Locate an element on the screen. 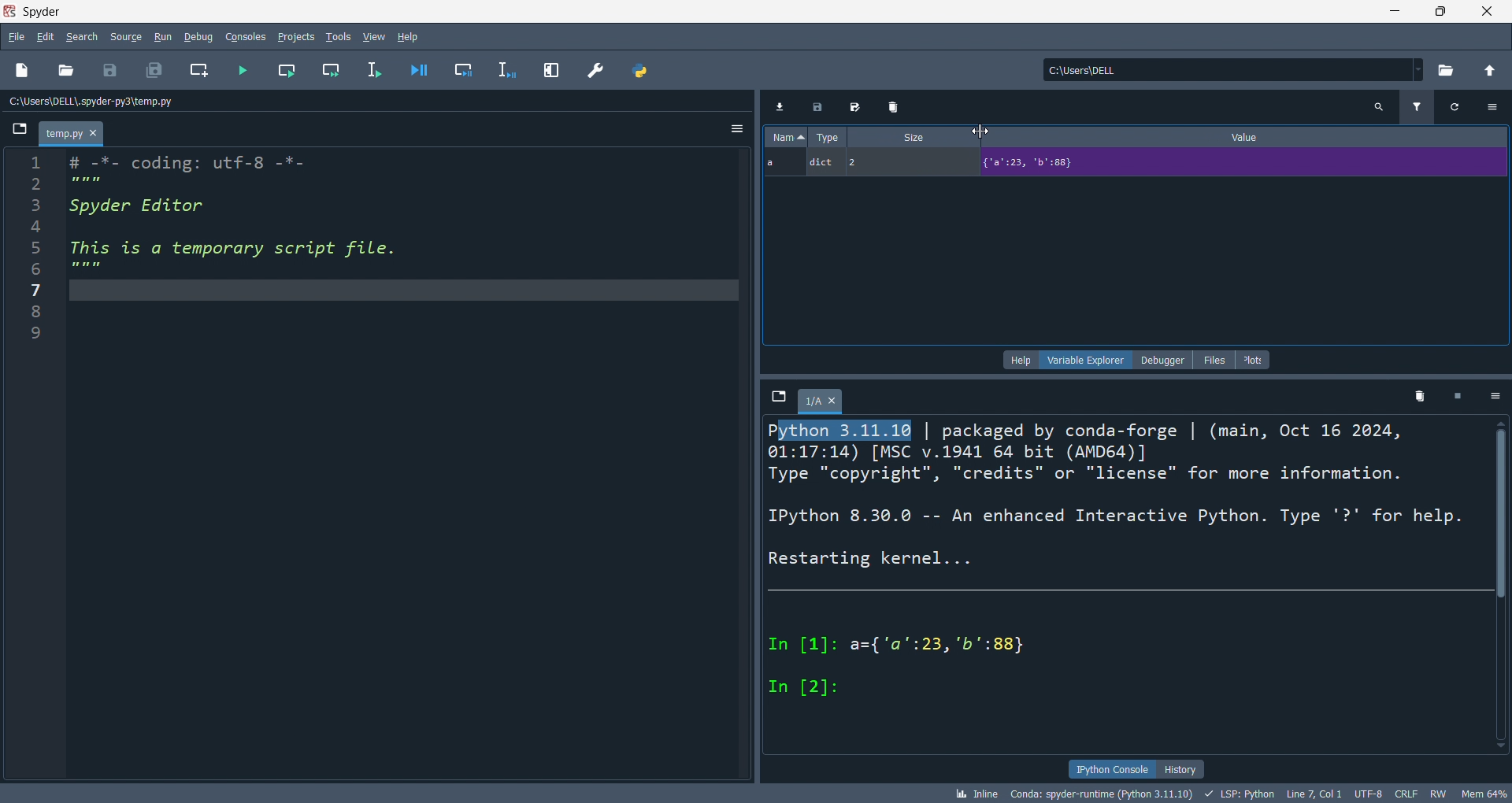 The width and height of the screenshot is (1512, 803). close kernel is located at coordinates (1459, 398).